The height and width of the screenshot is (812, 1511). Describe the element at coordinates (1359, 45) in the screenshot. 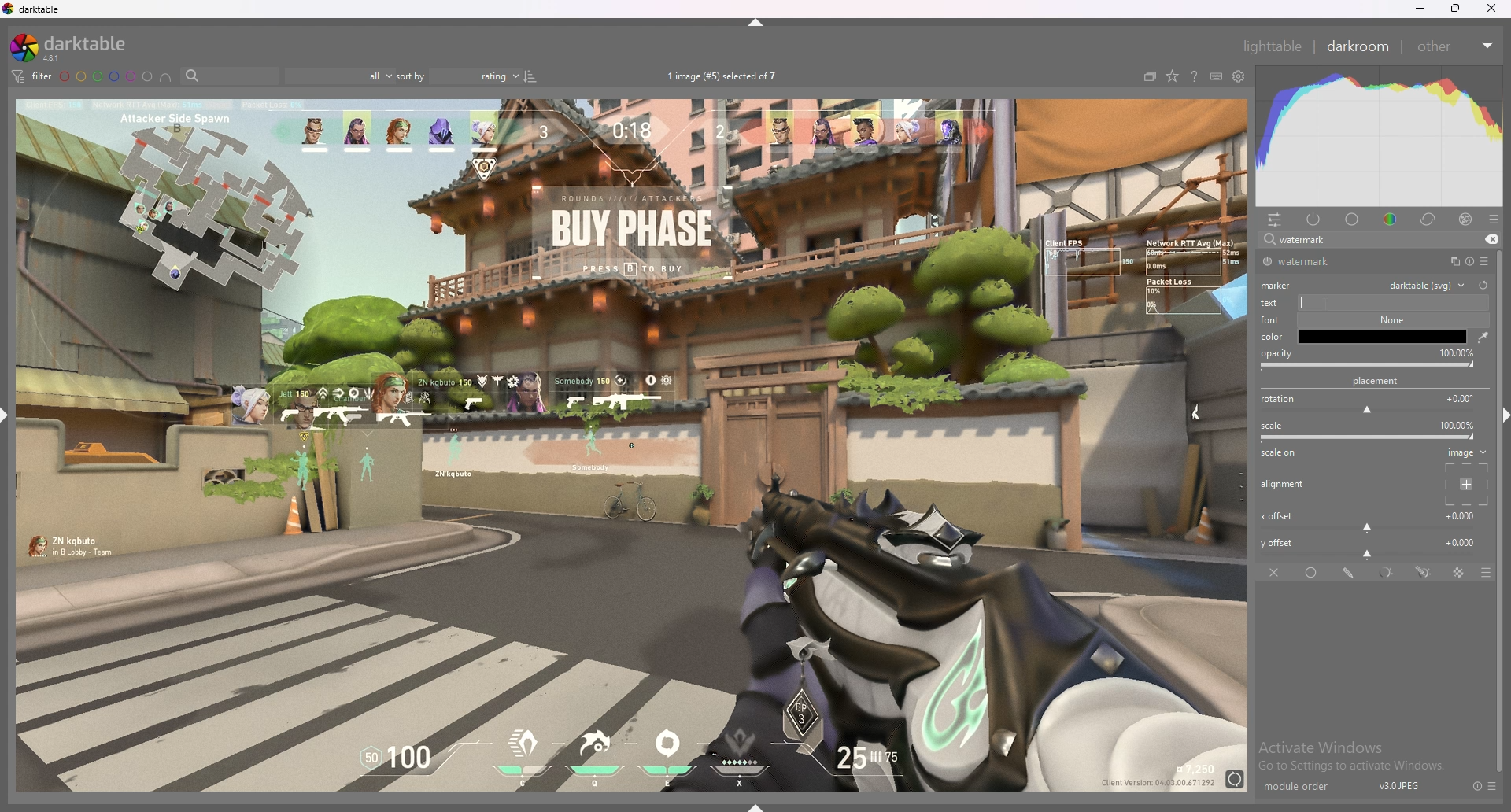

I see `darkroom` at that location.